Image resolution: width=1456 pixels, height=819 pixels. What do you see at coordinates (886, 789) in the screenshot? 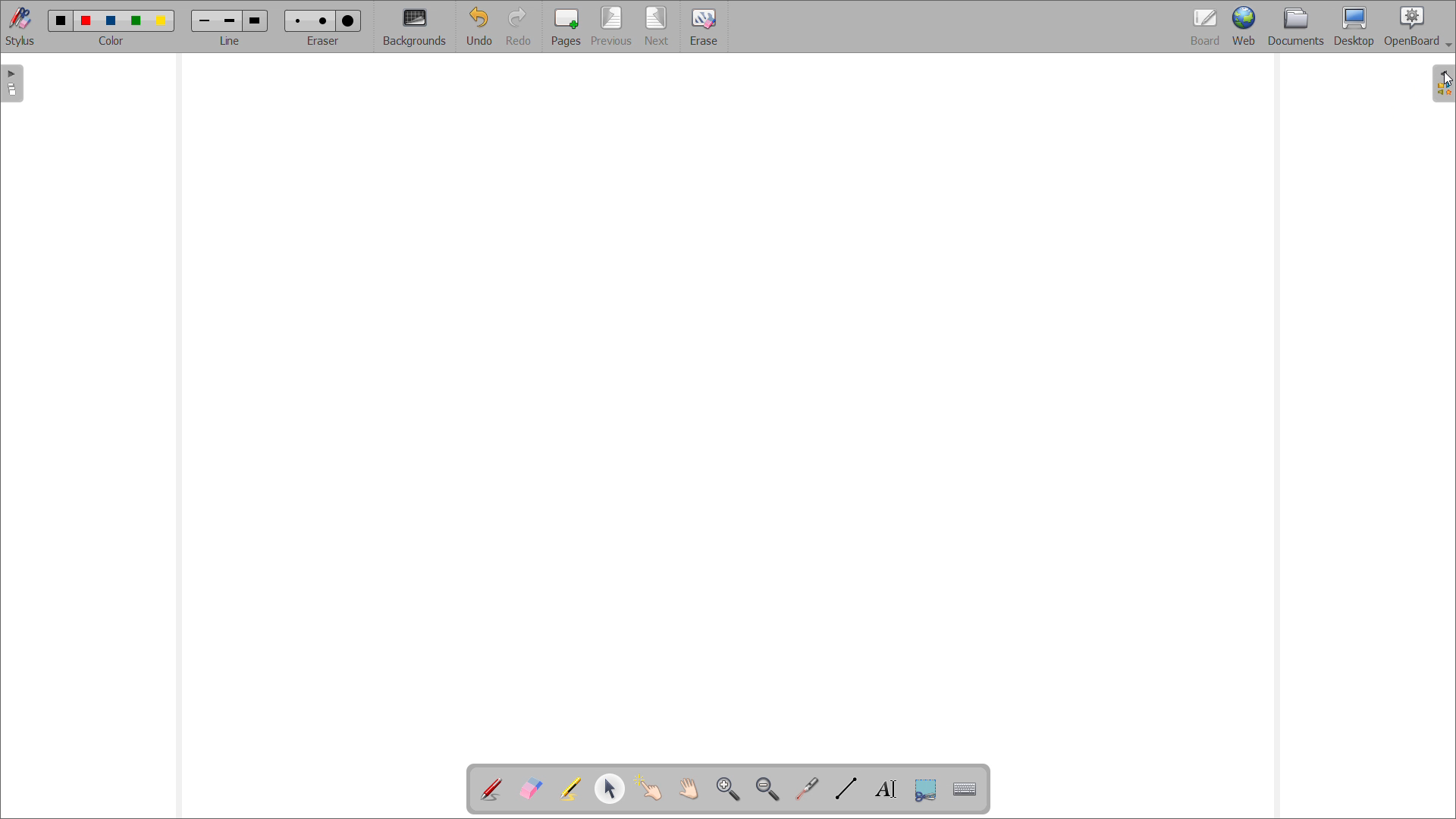
I see `write text` at bounding box center [886, 789].